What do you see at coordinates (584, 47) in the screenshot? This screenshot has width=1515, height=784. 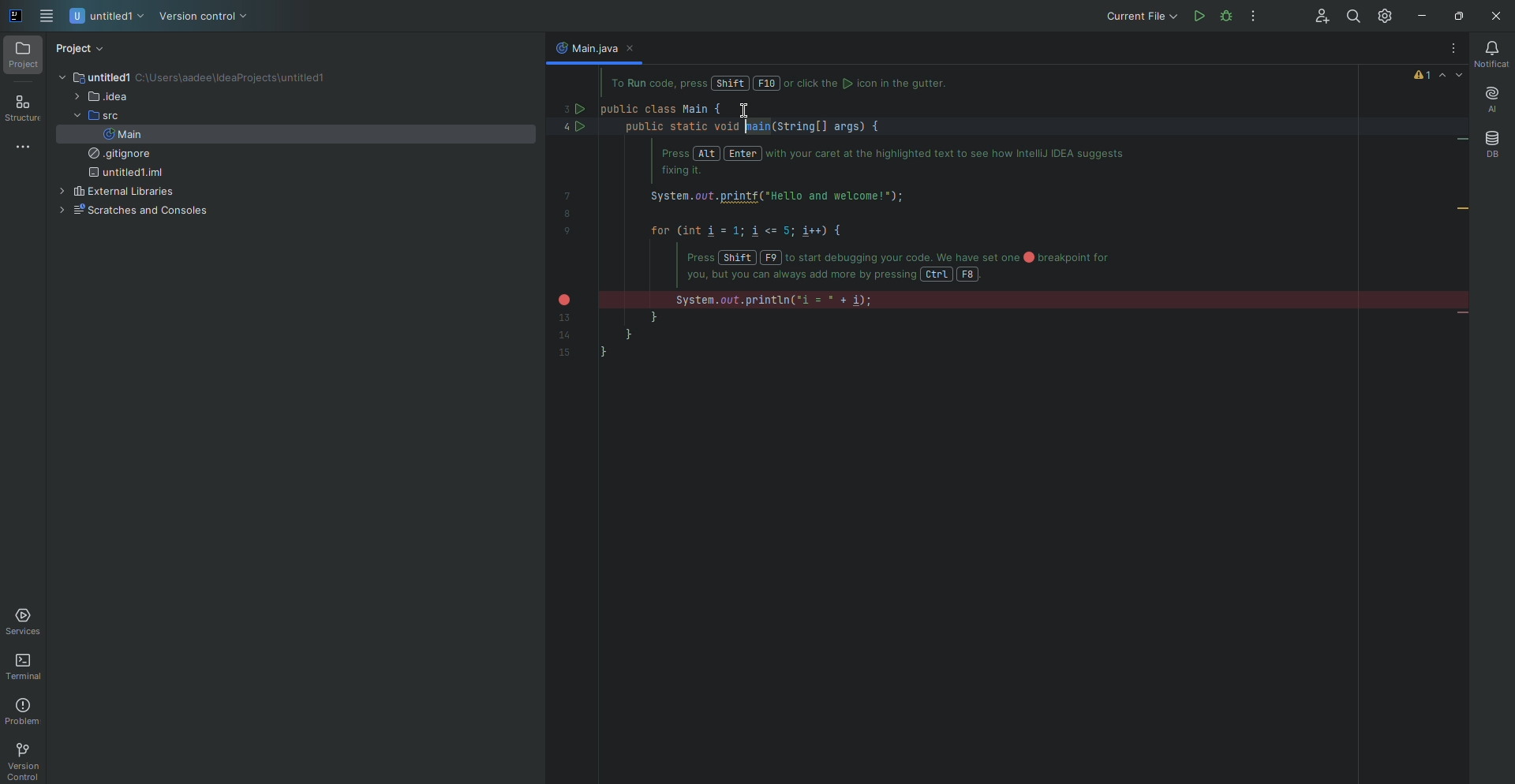 I see `Main.java` at bounding box center [584, 47].